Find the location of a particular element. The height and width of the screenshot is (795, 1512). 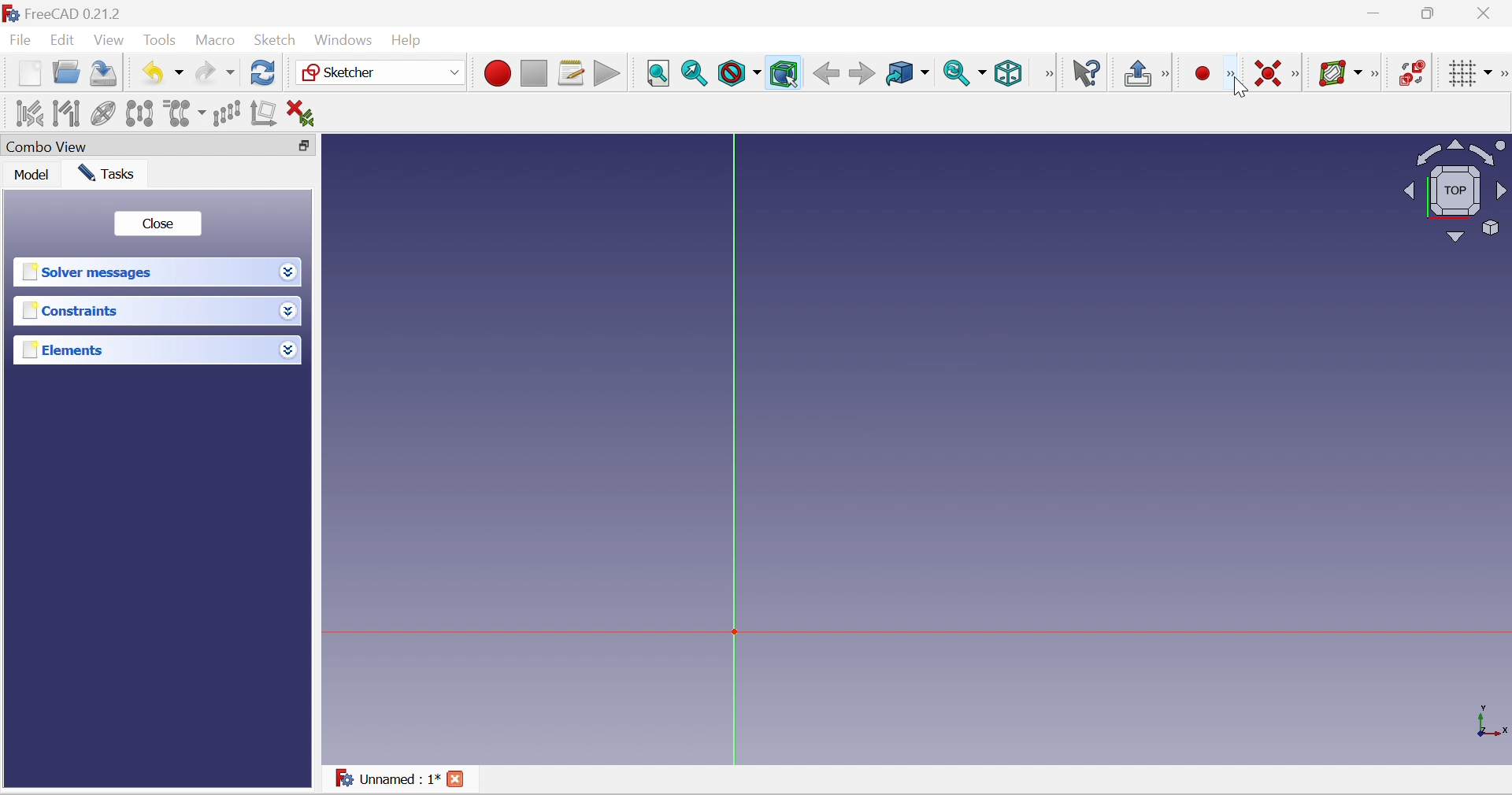

[Sketcher geometries] is located at coordinates (1232, 76).